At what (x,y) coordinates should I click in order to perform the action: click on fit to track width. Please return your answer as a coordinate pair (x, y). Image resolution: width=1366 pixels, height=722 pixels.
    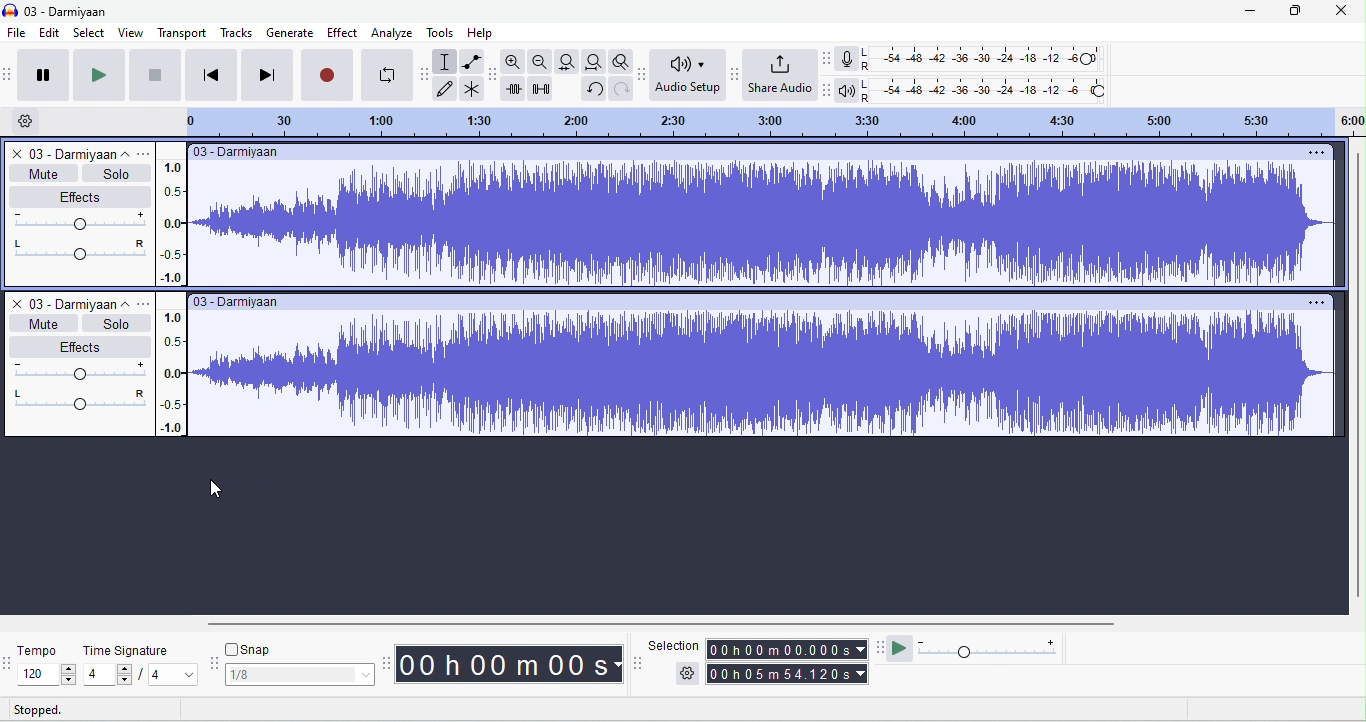
    Looking at the image, I should click on (567, 62).